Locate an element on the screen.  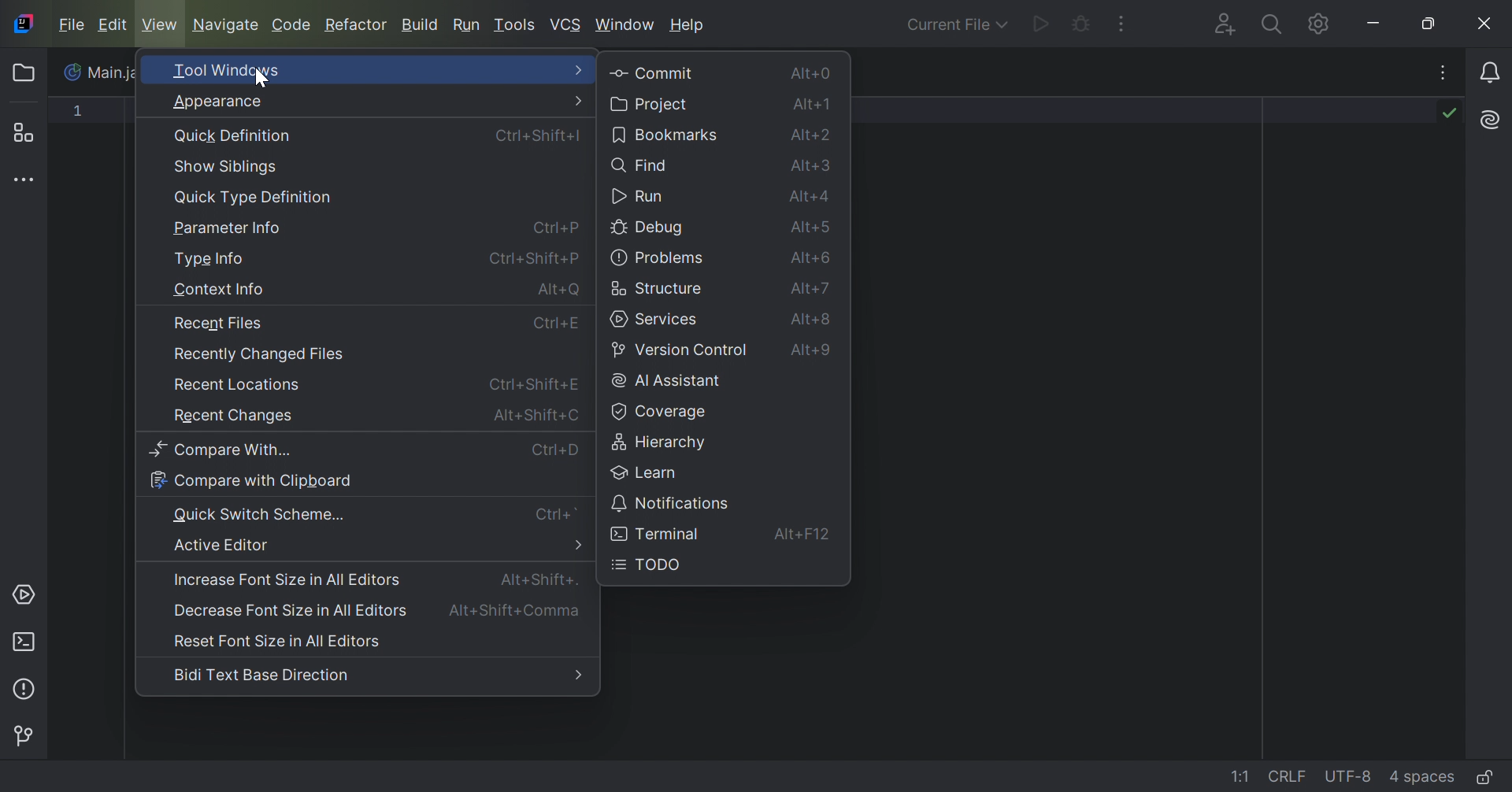
Version Control is located at coordinates (679, 351).